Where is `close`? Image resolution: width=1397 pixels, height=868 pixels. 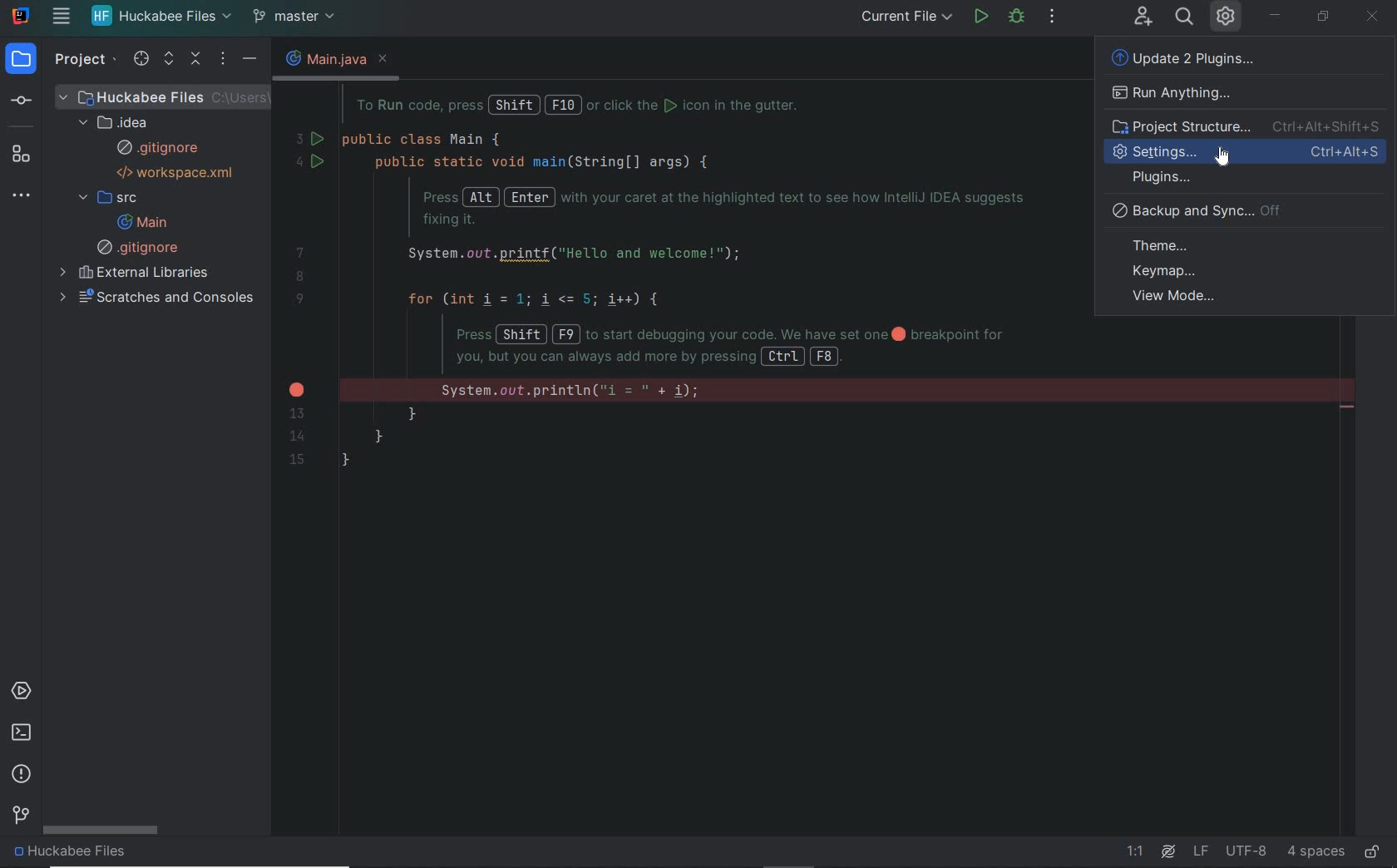 close is located at coordinates (390, 58).